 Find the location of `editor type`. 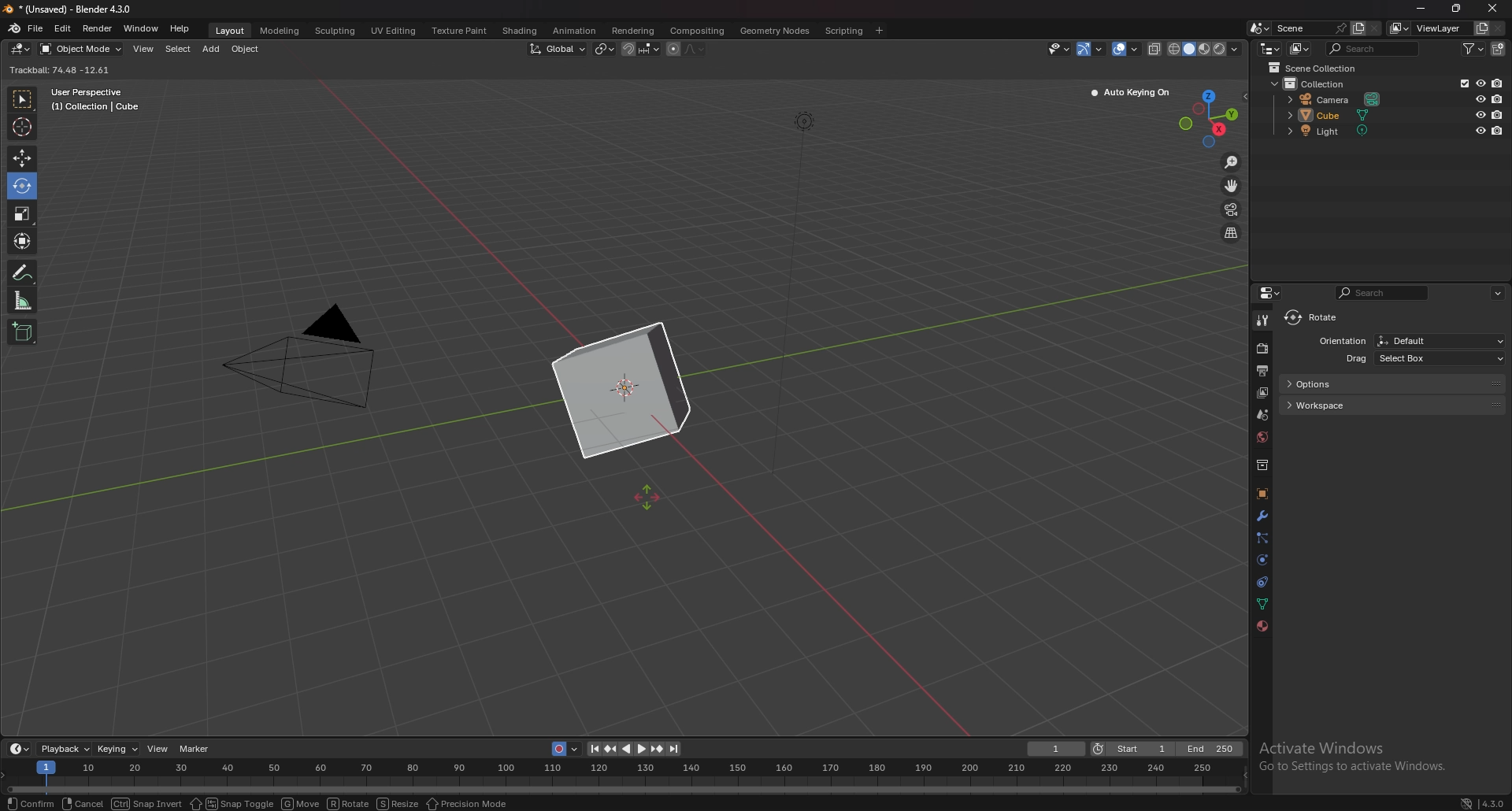

editor type is located at coordinates (20, 748).